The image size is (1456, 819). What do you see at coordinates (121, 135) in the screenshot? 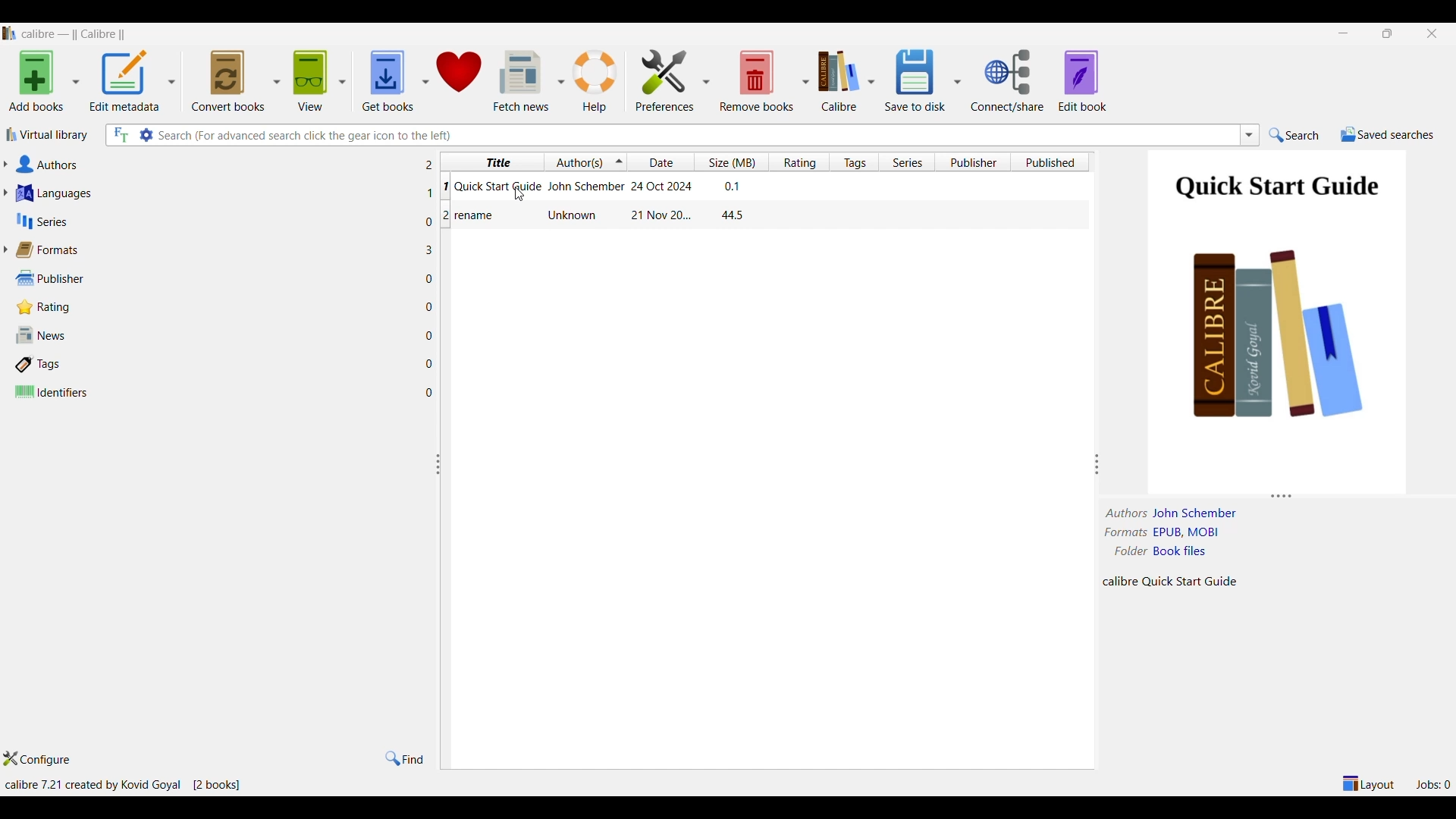
I see `Search all files` at bounding box center [121, 135].